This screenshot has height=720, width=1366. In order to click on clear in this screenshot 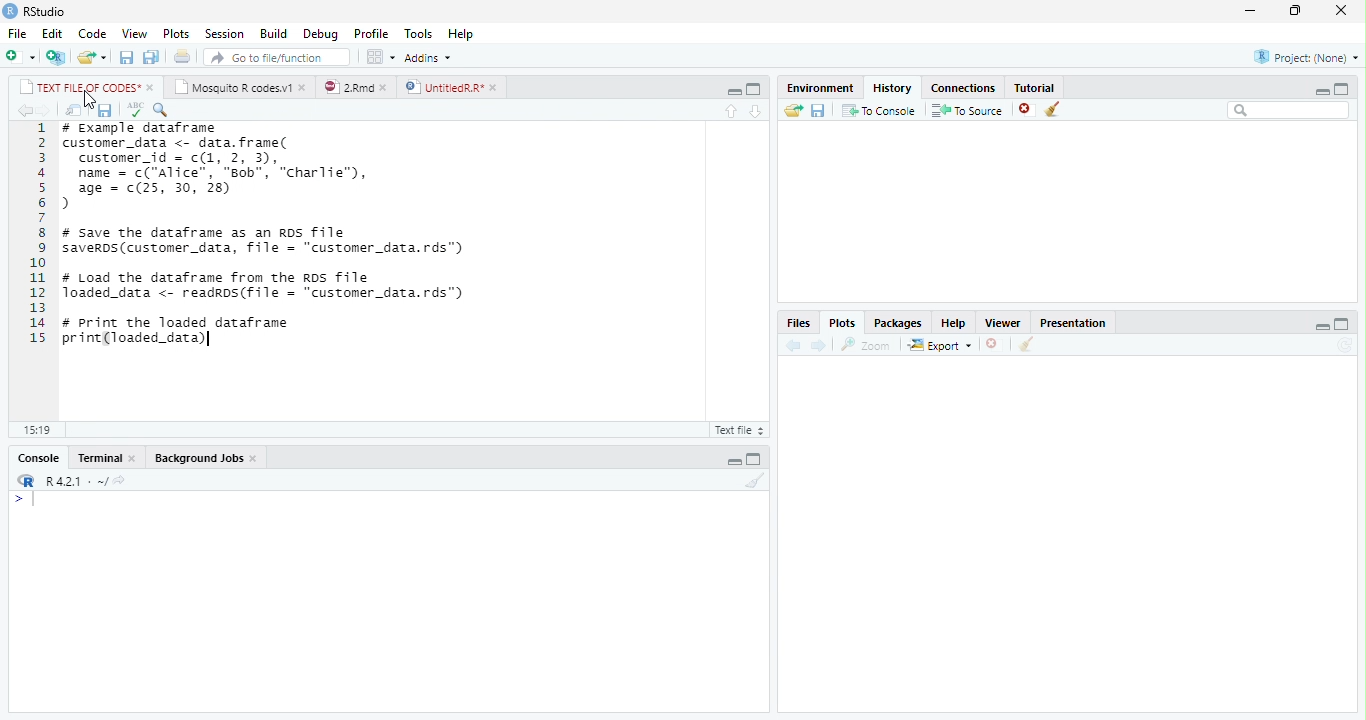, I will do `click(1053, 109)`.